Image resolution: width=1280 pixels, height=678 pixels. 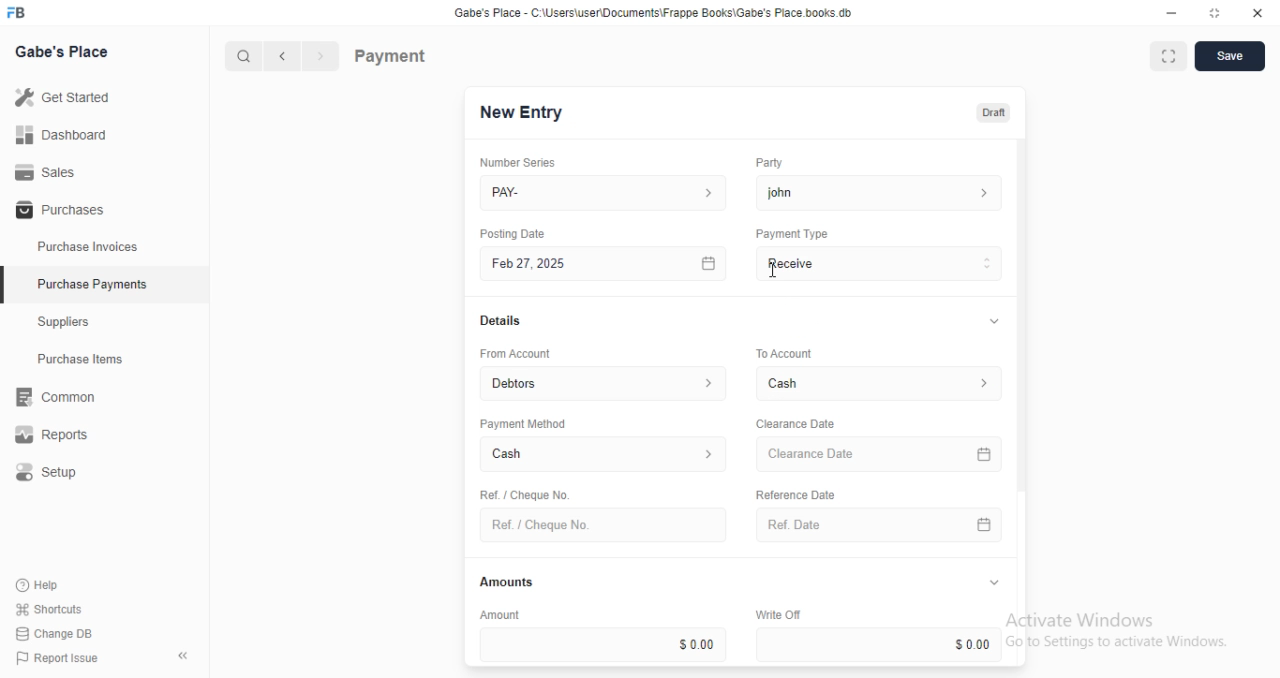 I want to click on Write Off, so click(x=776, y=614).